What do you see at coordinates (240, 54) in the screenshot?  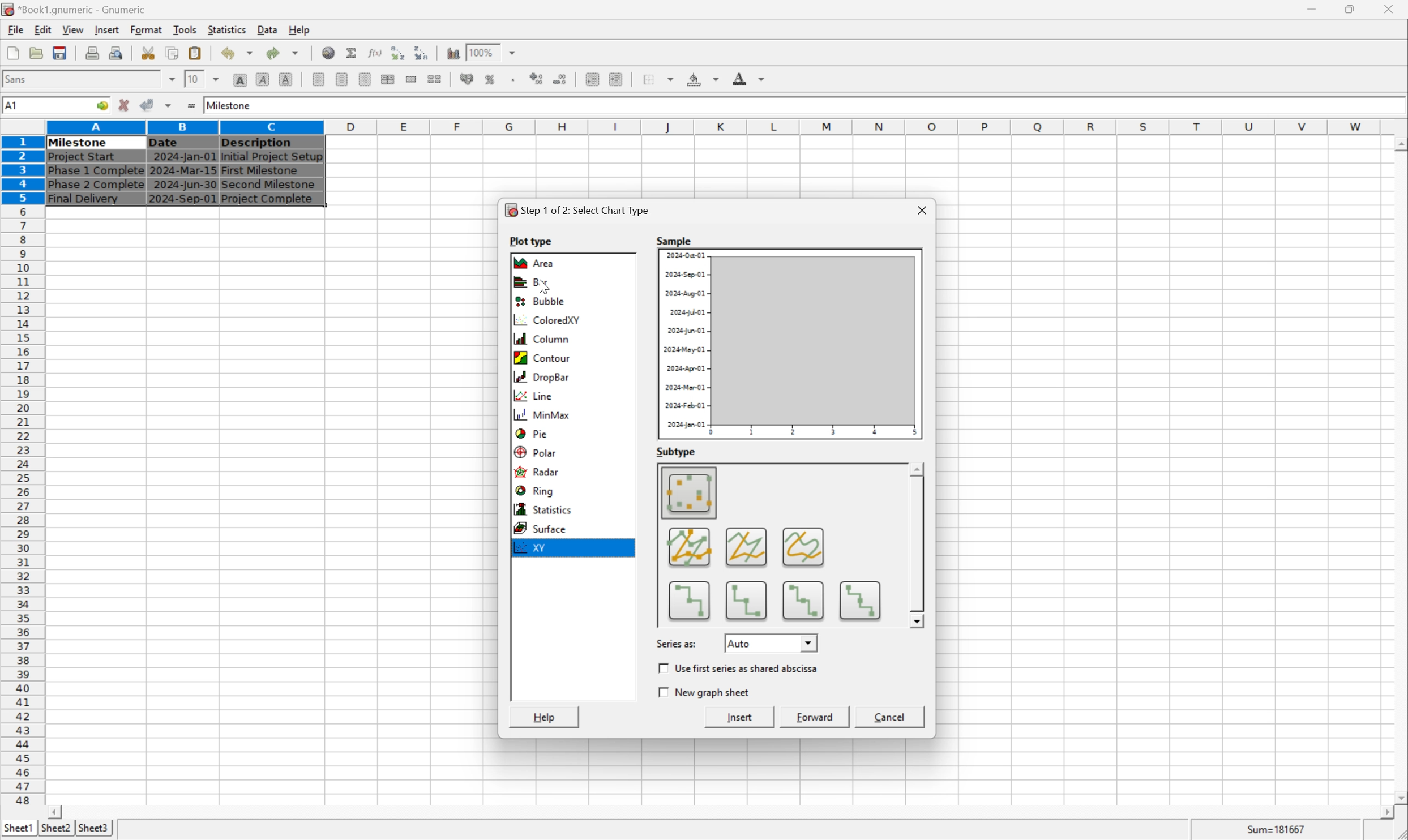 I see `undo` at bounding box center [240, 54].